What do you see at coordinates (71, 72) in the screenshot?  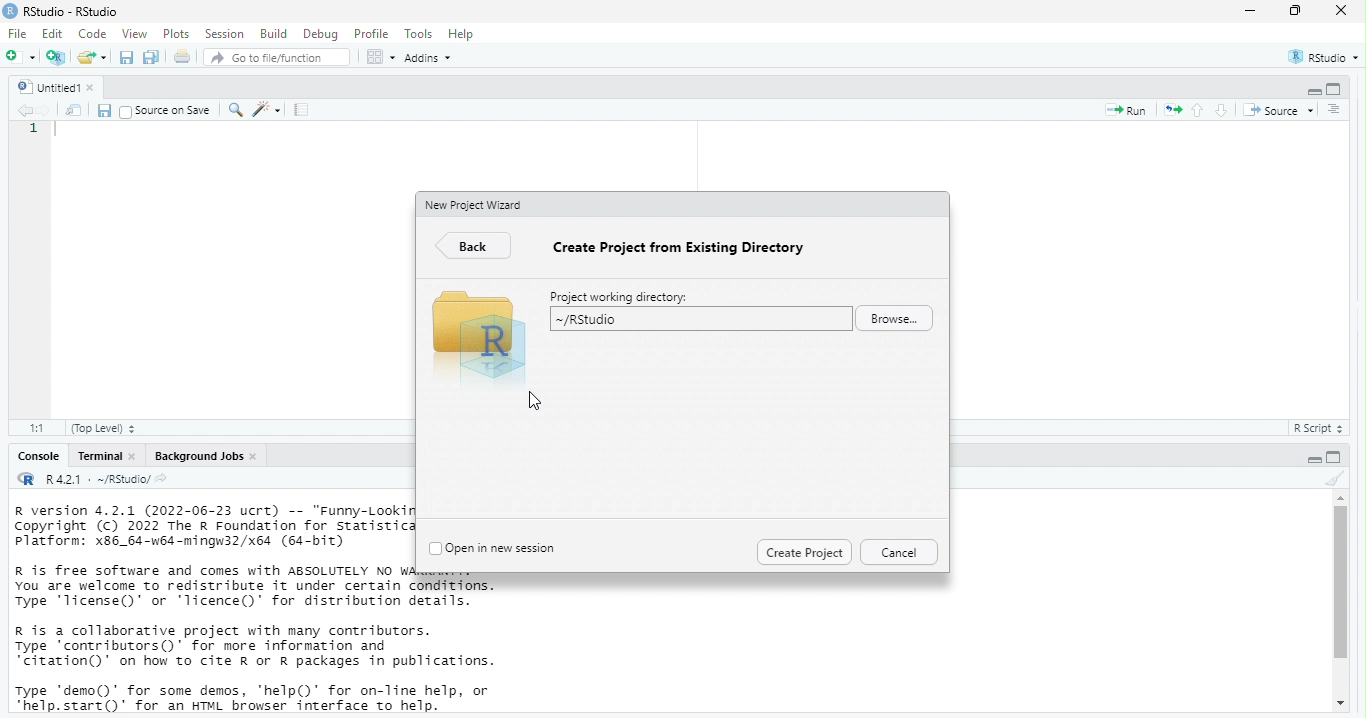 I see `cursor` at bounding box center [71, 72].